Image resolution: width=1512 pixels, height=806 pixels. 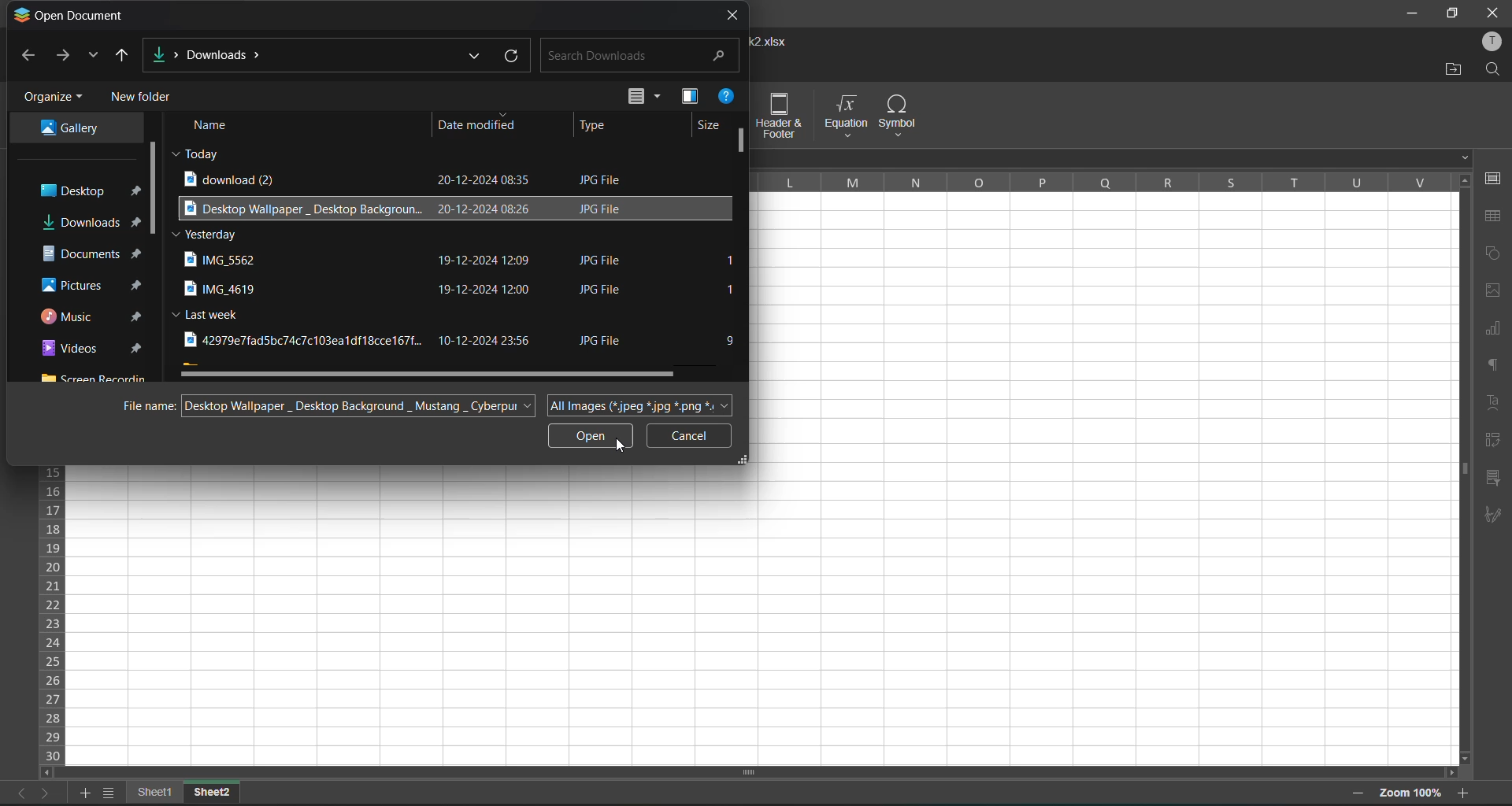 What do you see at coordinates (94, 57) in the screenshot?
I see `recent locations` at bounding box center [94, 57].